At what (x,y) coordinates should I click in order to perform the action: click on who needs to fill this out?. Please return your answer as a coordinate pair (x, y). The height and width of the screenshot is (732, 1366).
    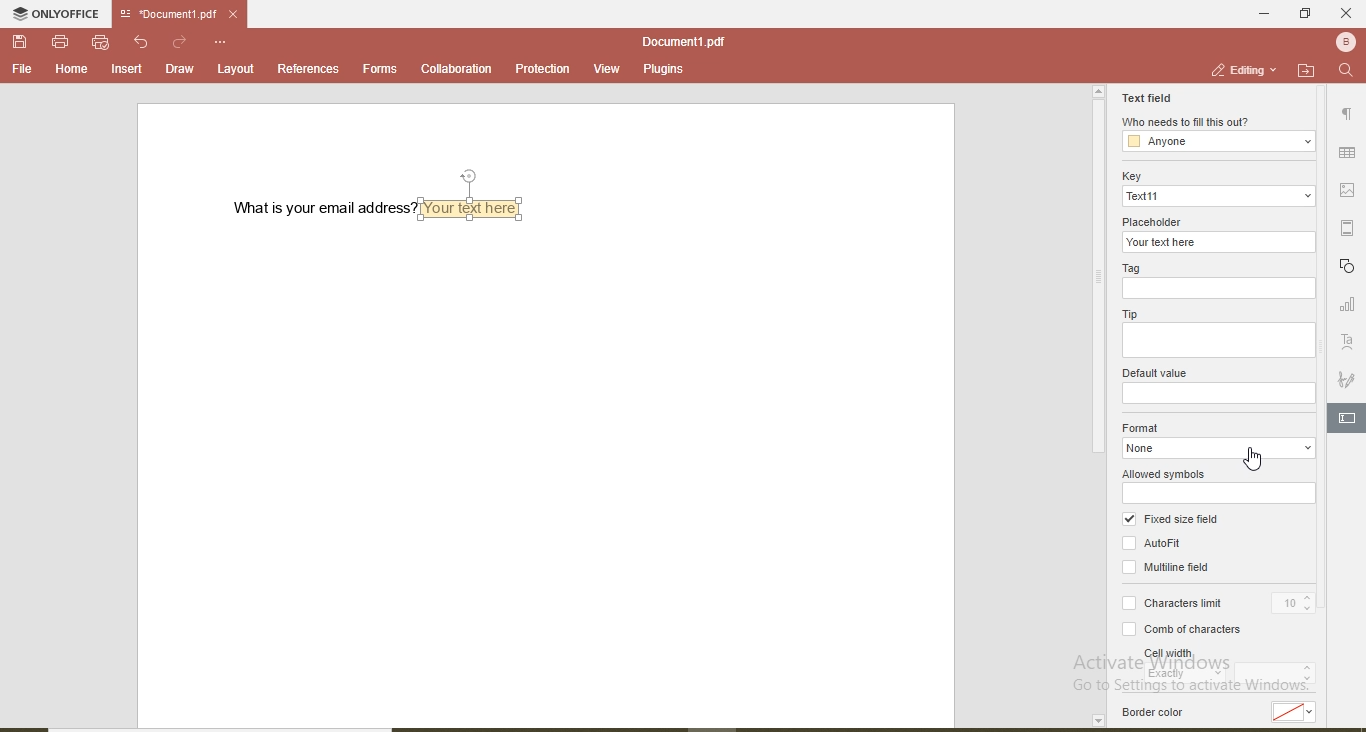
    Looking at the image, I should click on (1185, 122).